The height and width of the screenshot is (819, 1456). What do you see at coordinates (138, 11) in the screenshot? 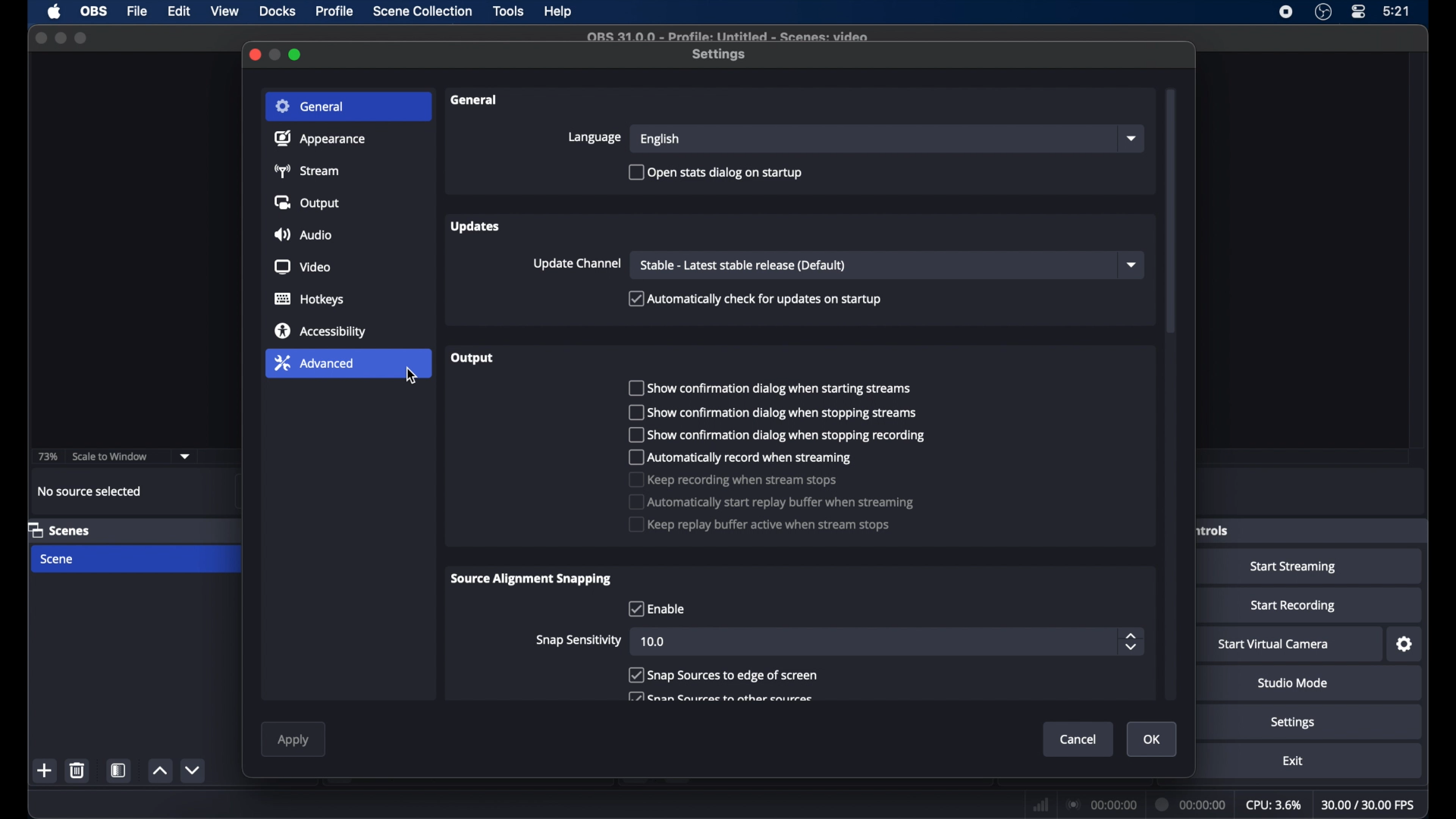
I see `file` at bounding box center [138, 11].